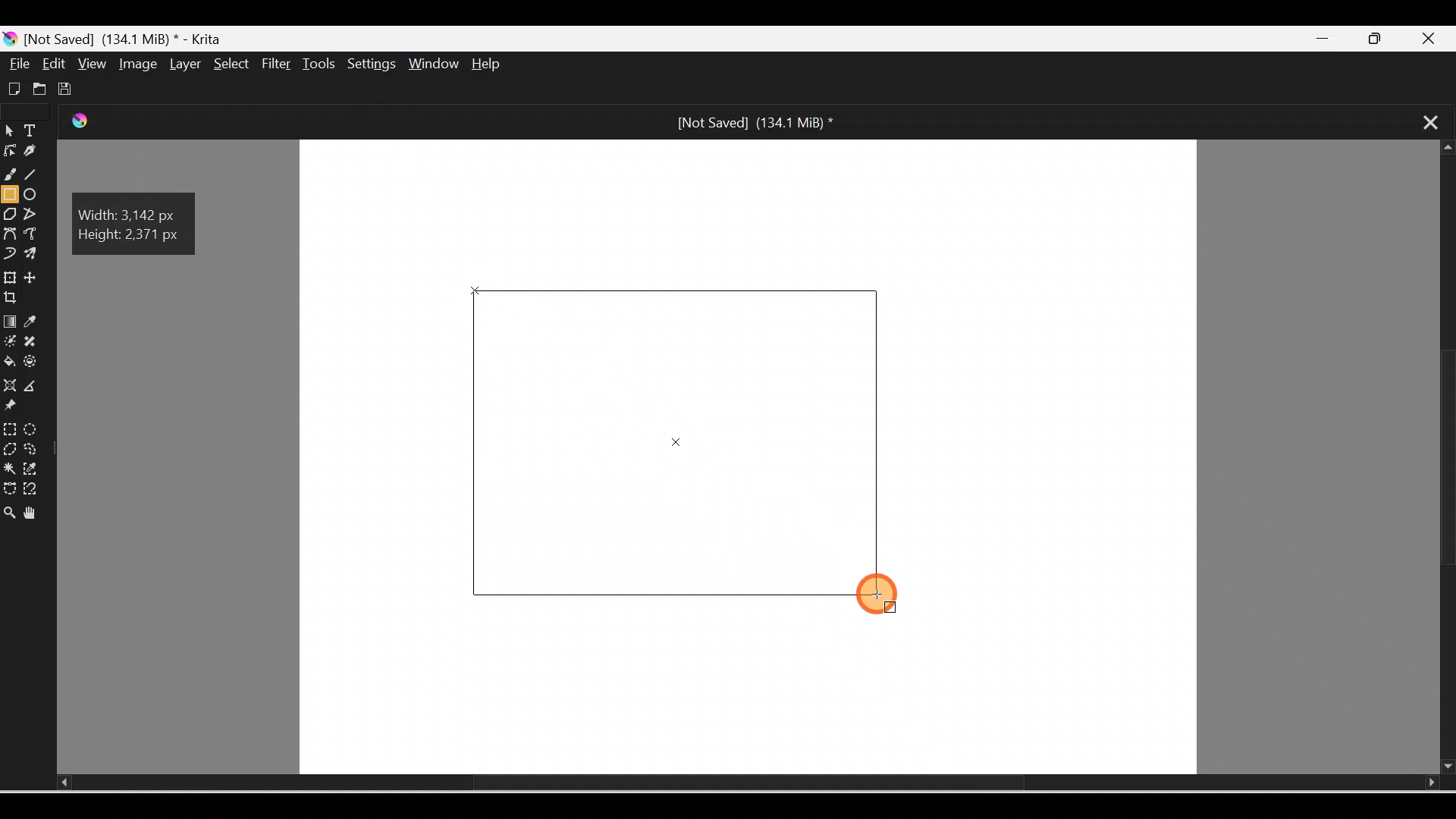 Image resolution: width=1456 pixels, height=819 pixels. I want to click on Transform a layer/selection, so click(10, 275).